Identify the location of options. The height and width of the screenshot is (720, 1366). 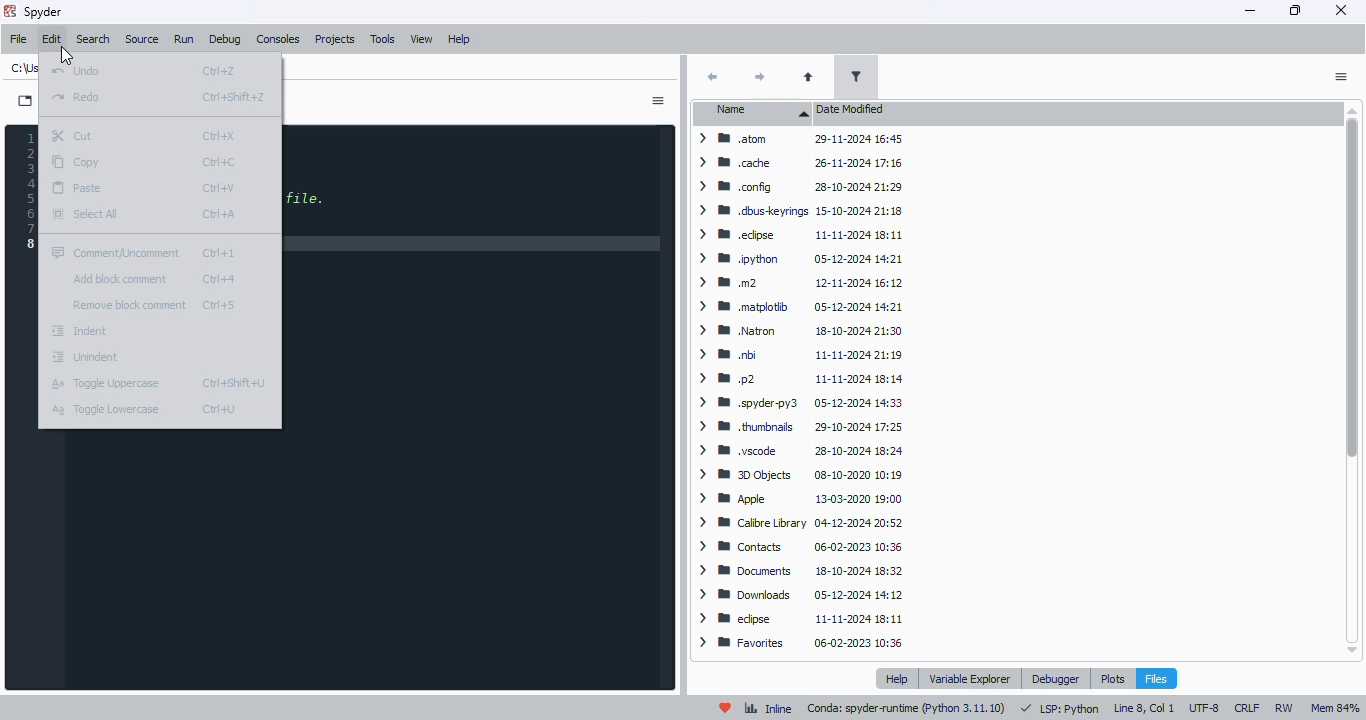
(1341, 77).